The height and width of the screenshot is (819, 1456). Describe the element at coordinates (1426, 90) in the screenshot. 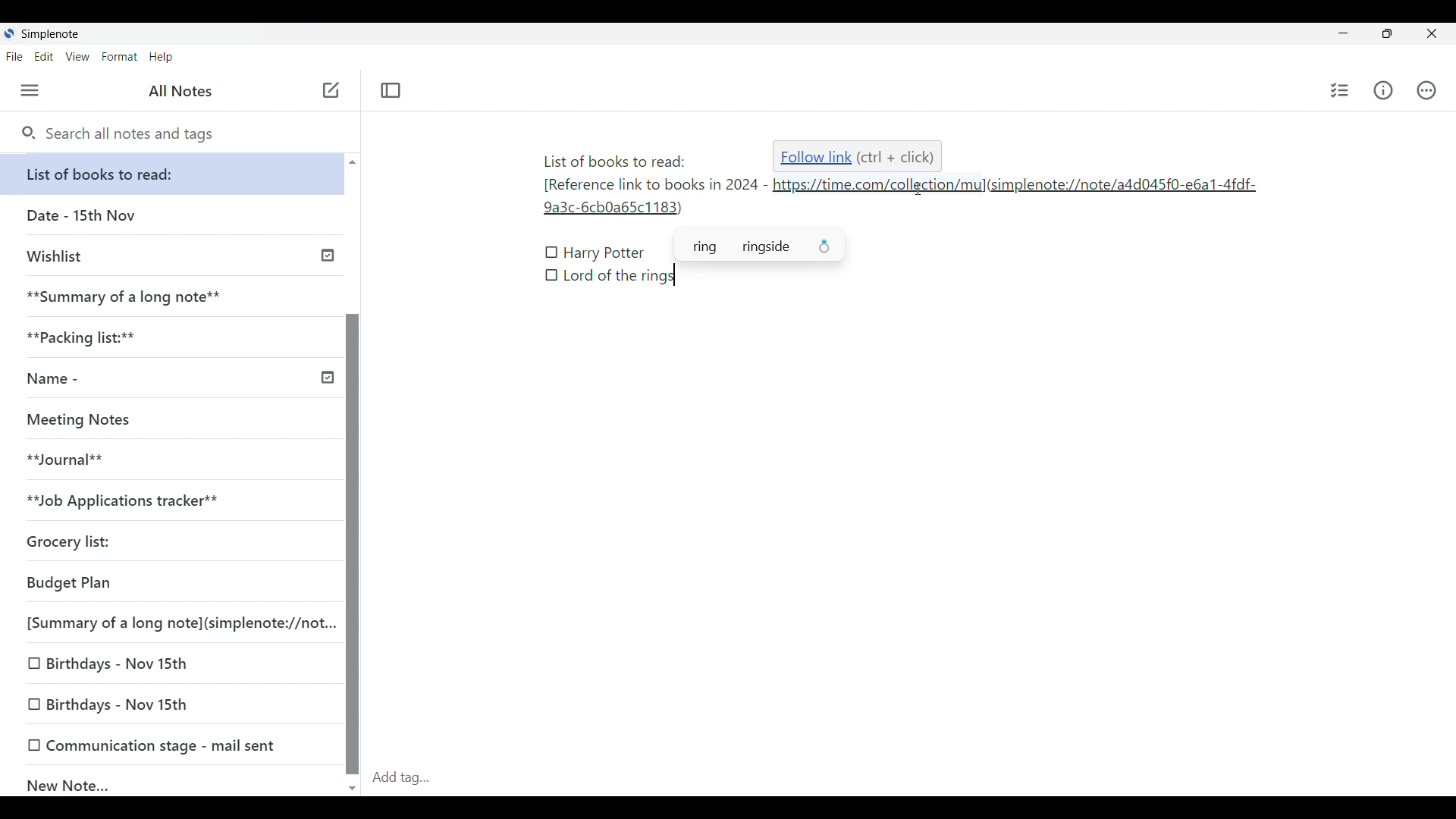

I see `Actions` at that location.